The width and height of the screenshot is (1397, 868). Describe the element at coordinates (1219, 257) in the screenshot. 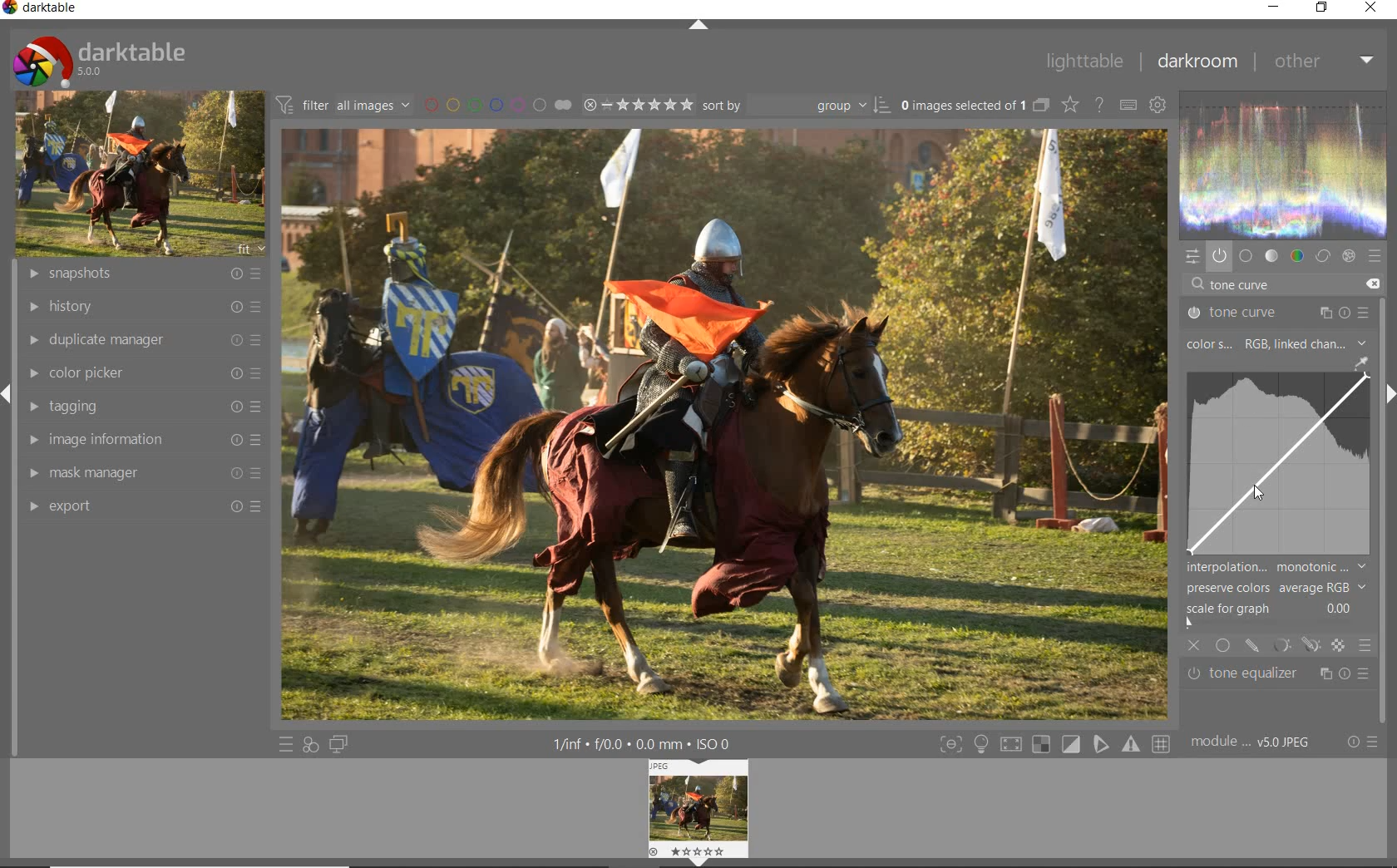

I see `show only active modules` at that location.